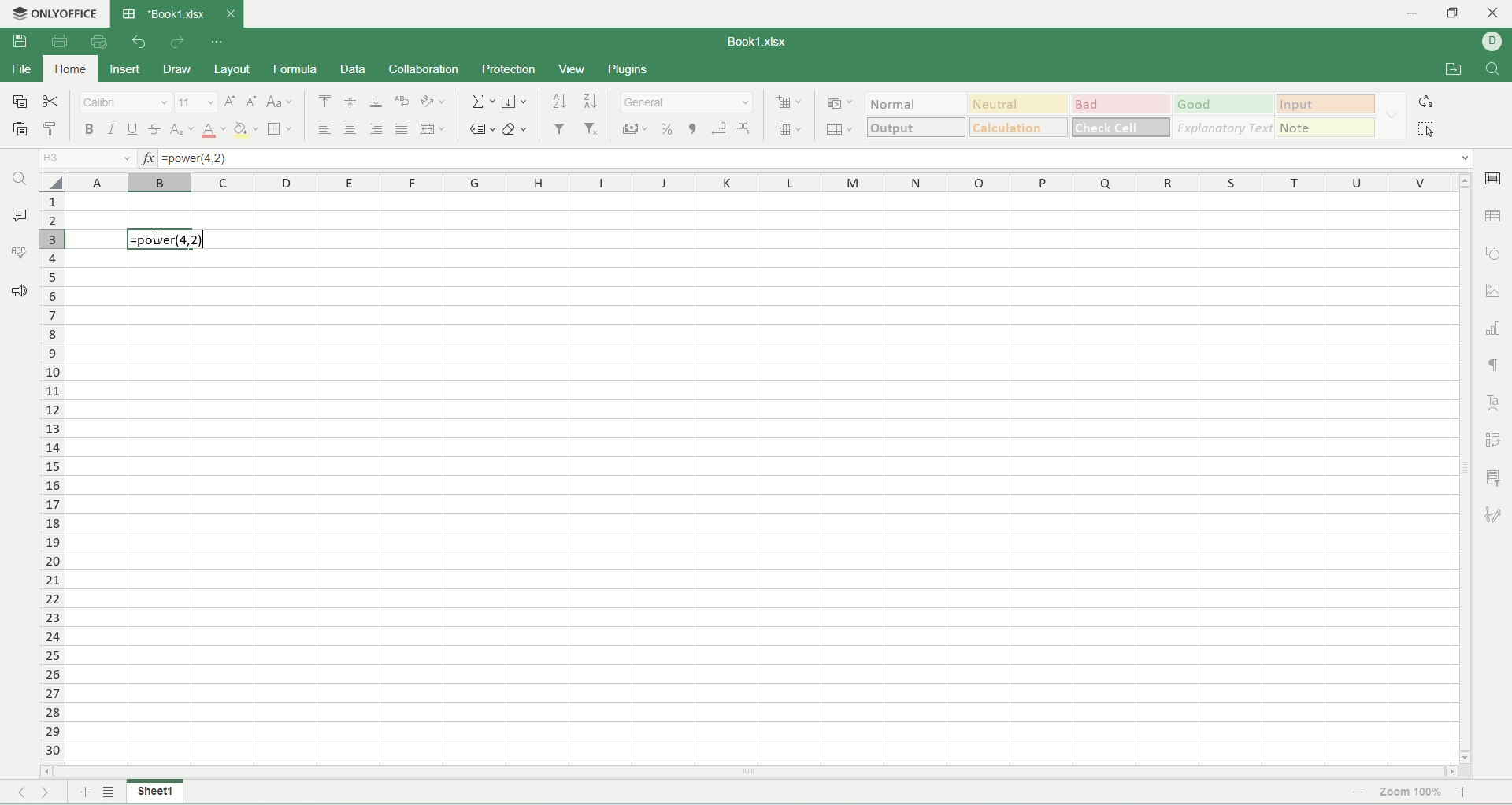 This screenshot has height=805, width=1512. Describe the element at coordinates (671, 129) in the screenshot. I see `percent style` at that location.